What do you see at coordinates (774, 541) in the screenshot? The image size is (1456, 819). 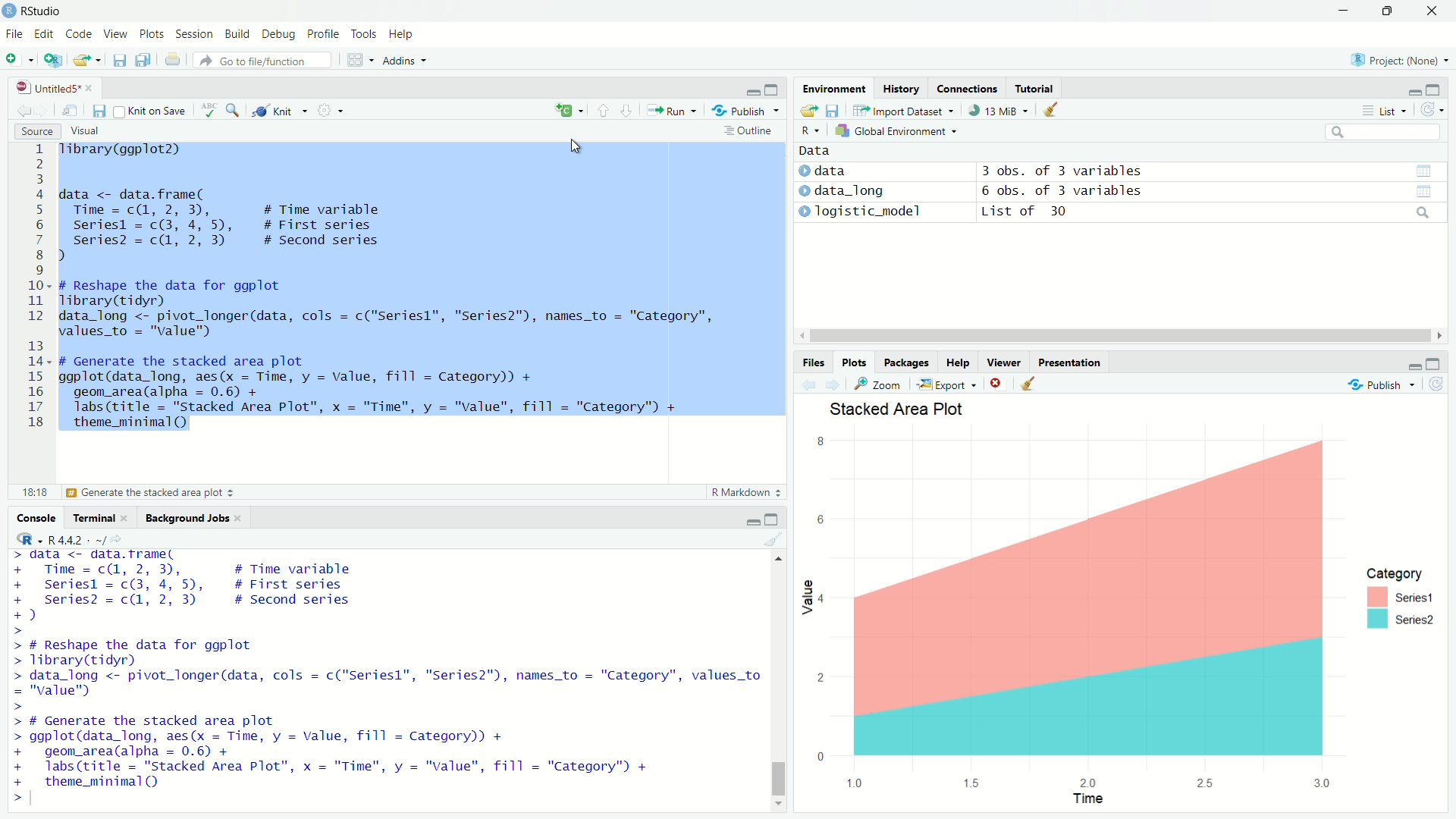 I see `clear` at bounding box center [774, 541].